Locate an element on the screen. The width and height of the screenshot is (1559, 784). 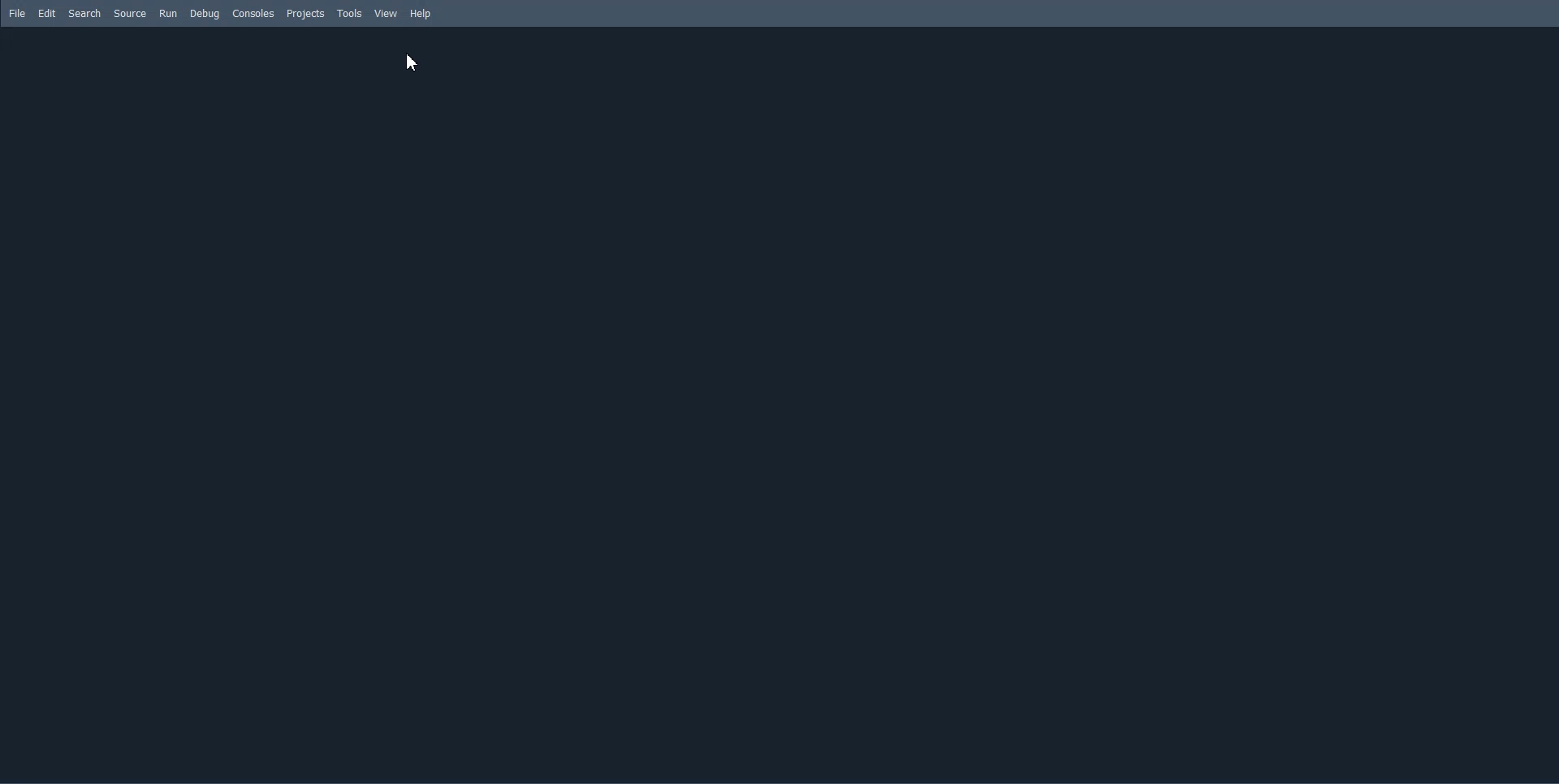
Default Start Pane is located at coordinates (775, 401).